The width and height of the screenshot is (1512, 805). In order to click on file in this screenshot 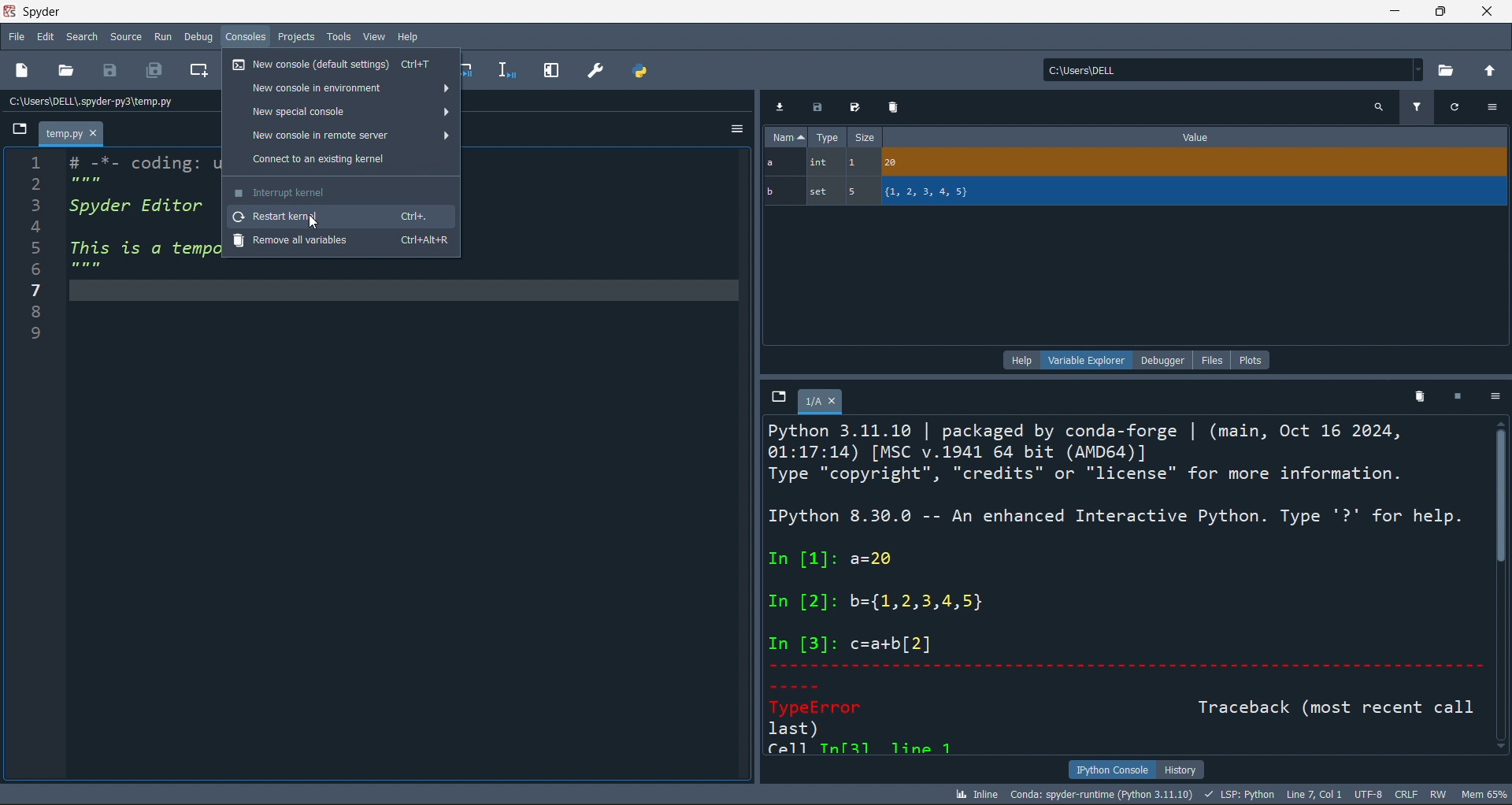, I will do `click(16, 36)`.